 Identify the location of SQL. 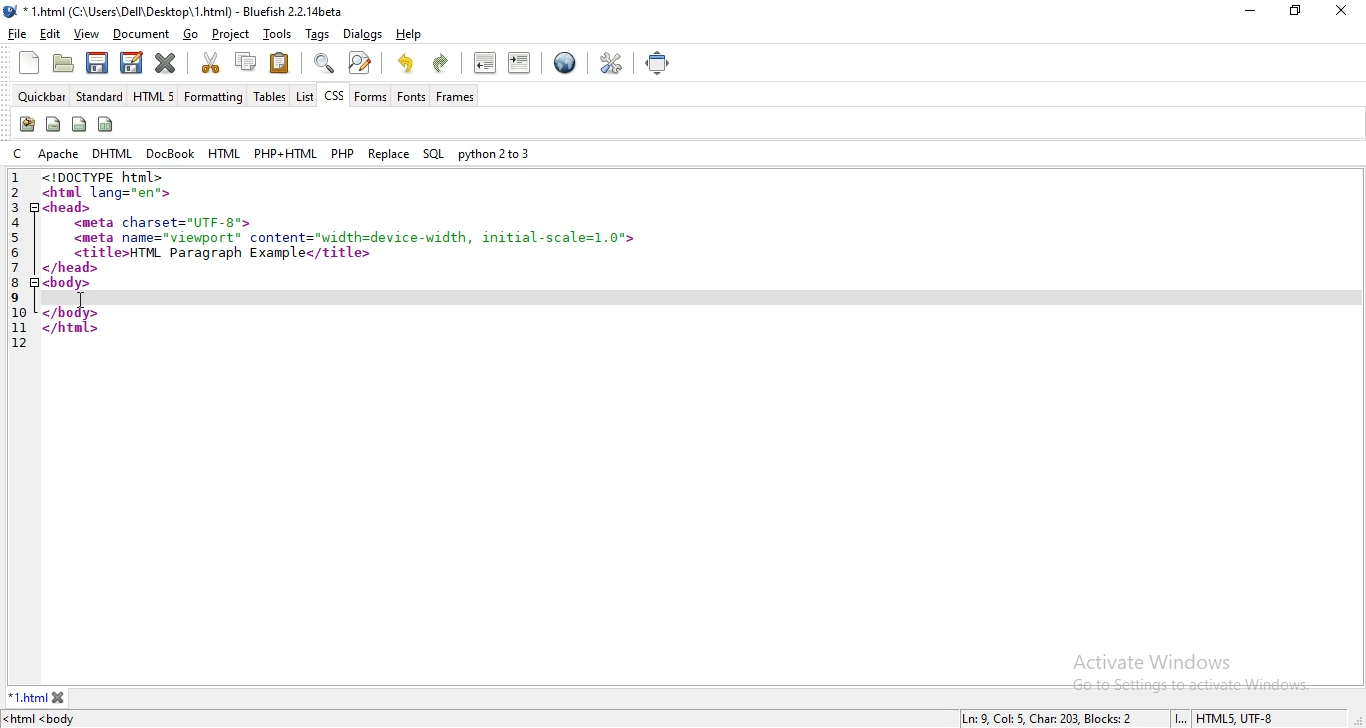
(434, 154).